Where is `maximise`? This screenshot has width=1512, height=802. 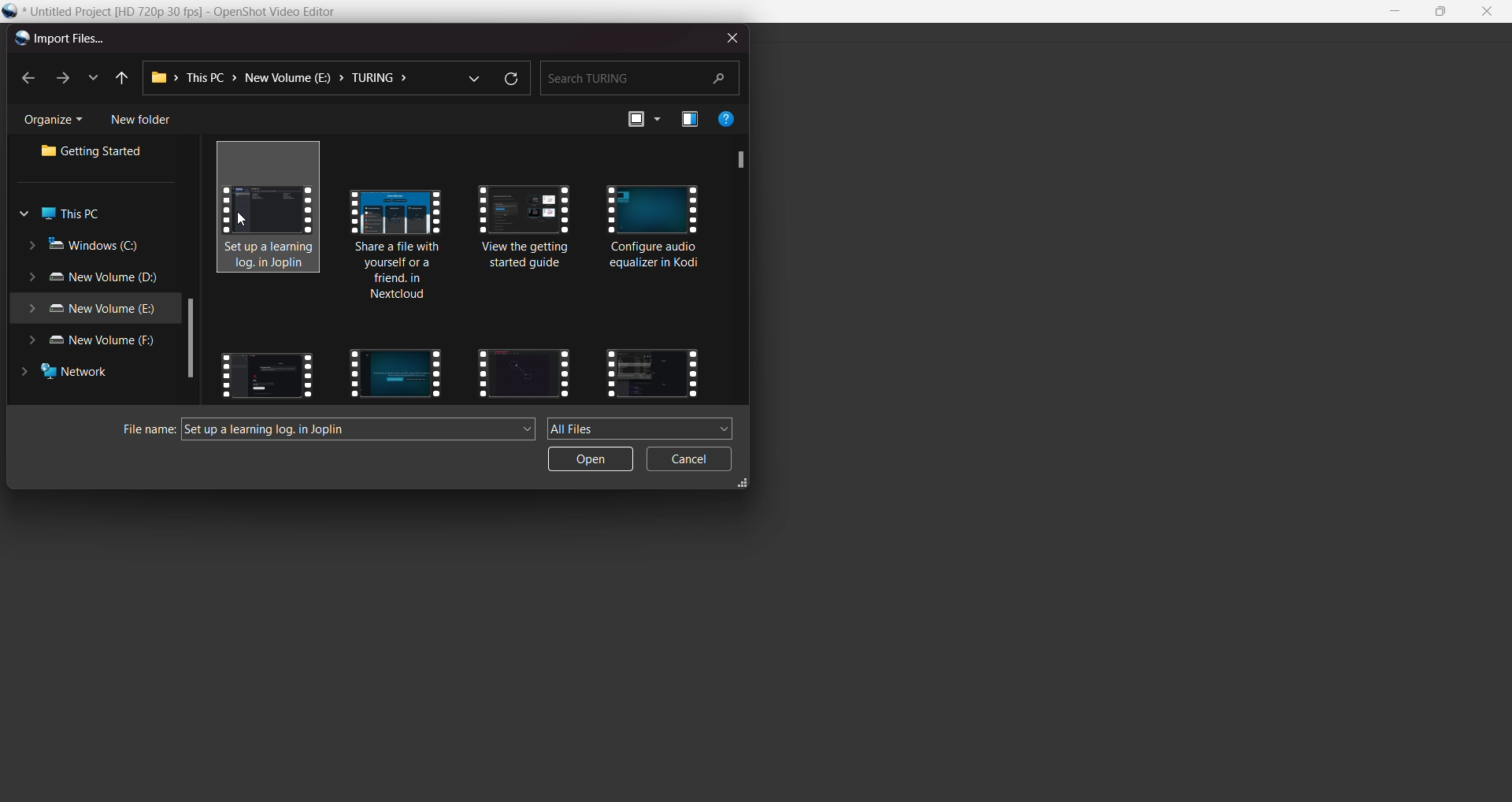 maximise is located at coordinates (1443, 13).